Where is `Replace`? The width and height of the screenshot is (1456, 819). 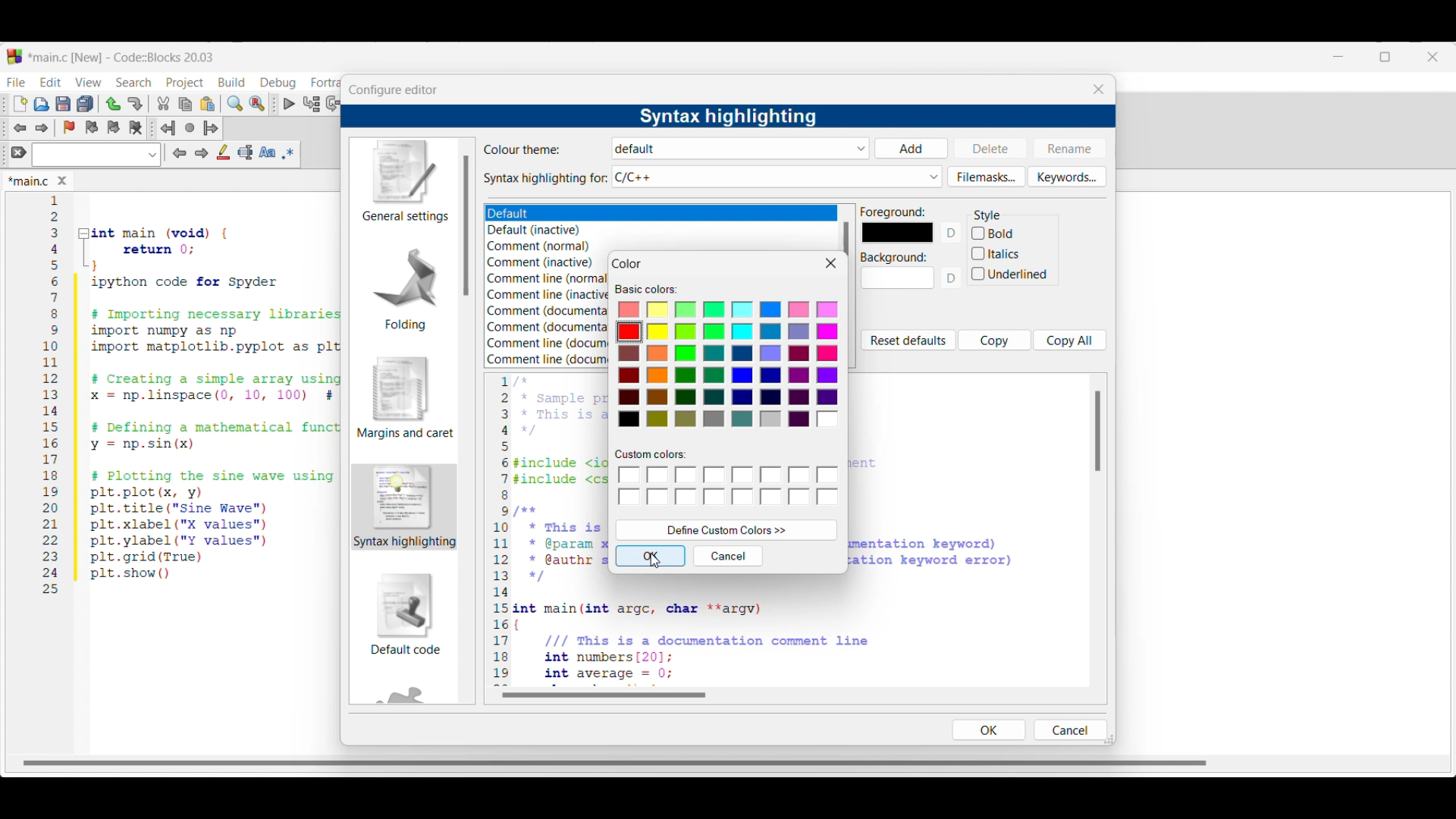
Replace is located at coordinates (257, 104).